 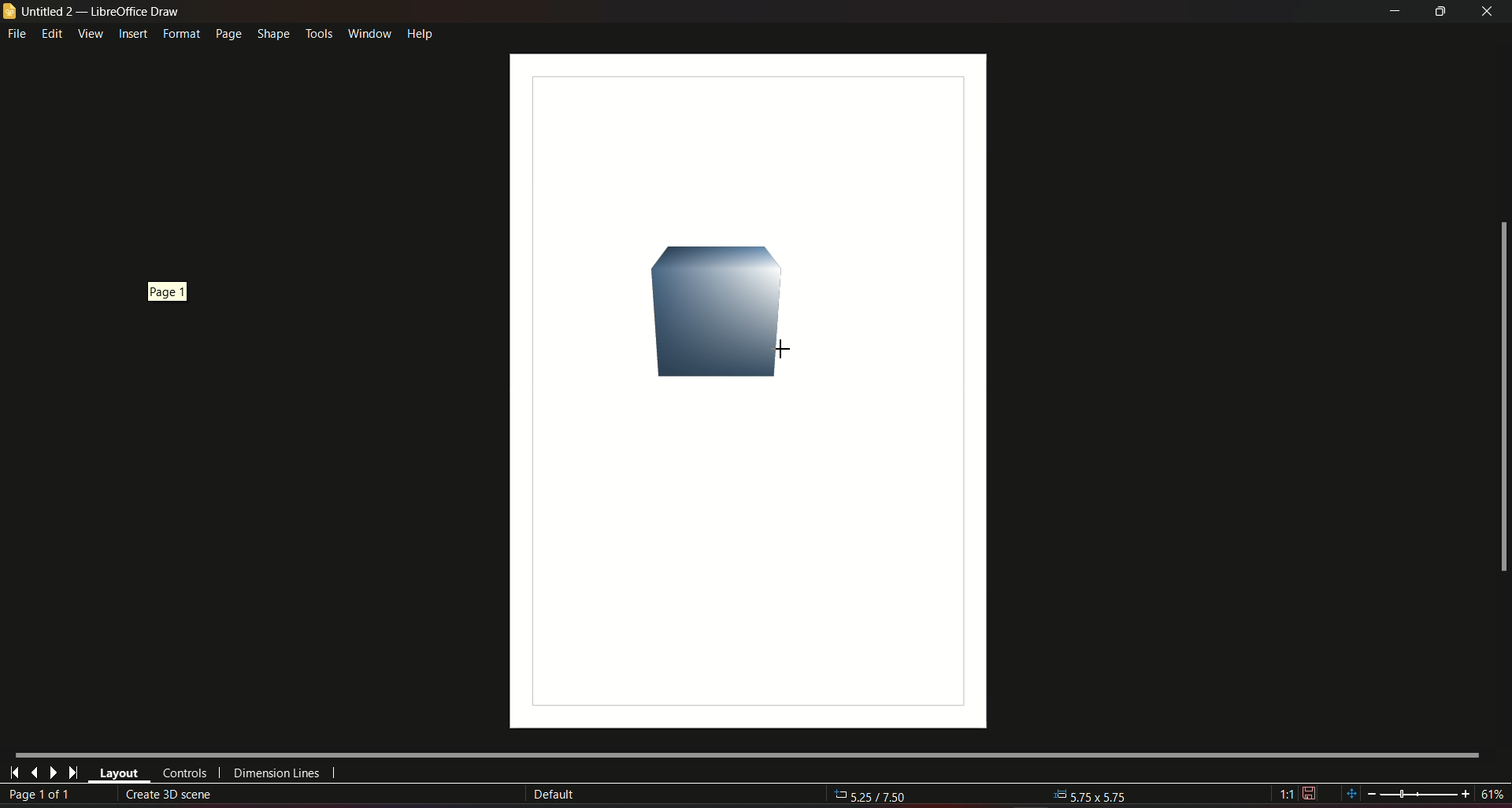 What do you see at coordinates (175, 794) in the screenshot?
I see `create 3D scene` at bounding box center [175, 794].